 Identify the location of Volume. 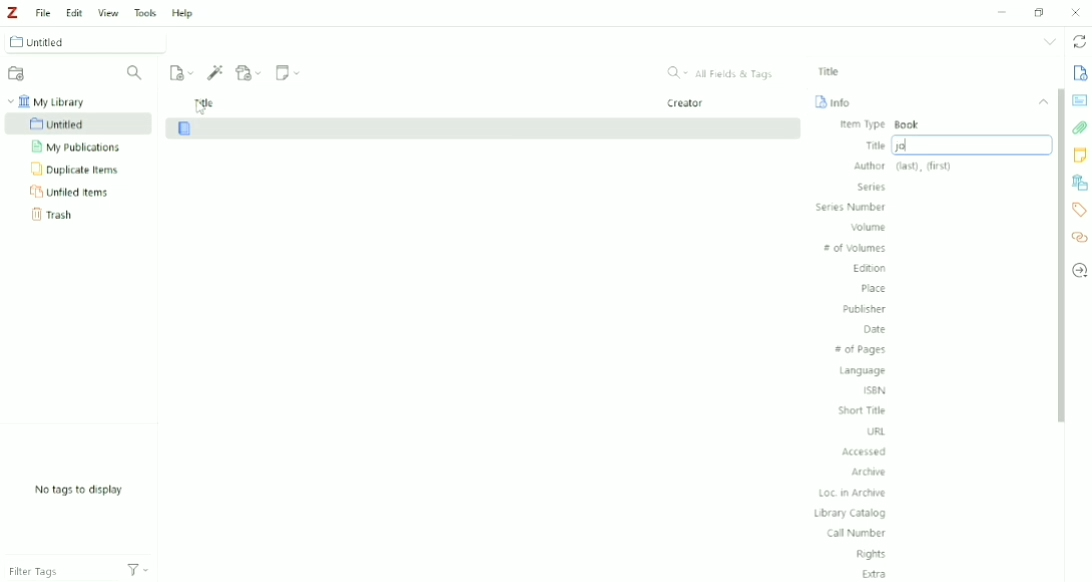
(868, 227).